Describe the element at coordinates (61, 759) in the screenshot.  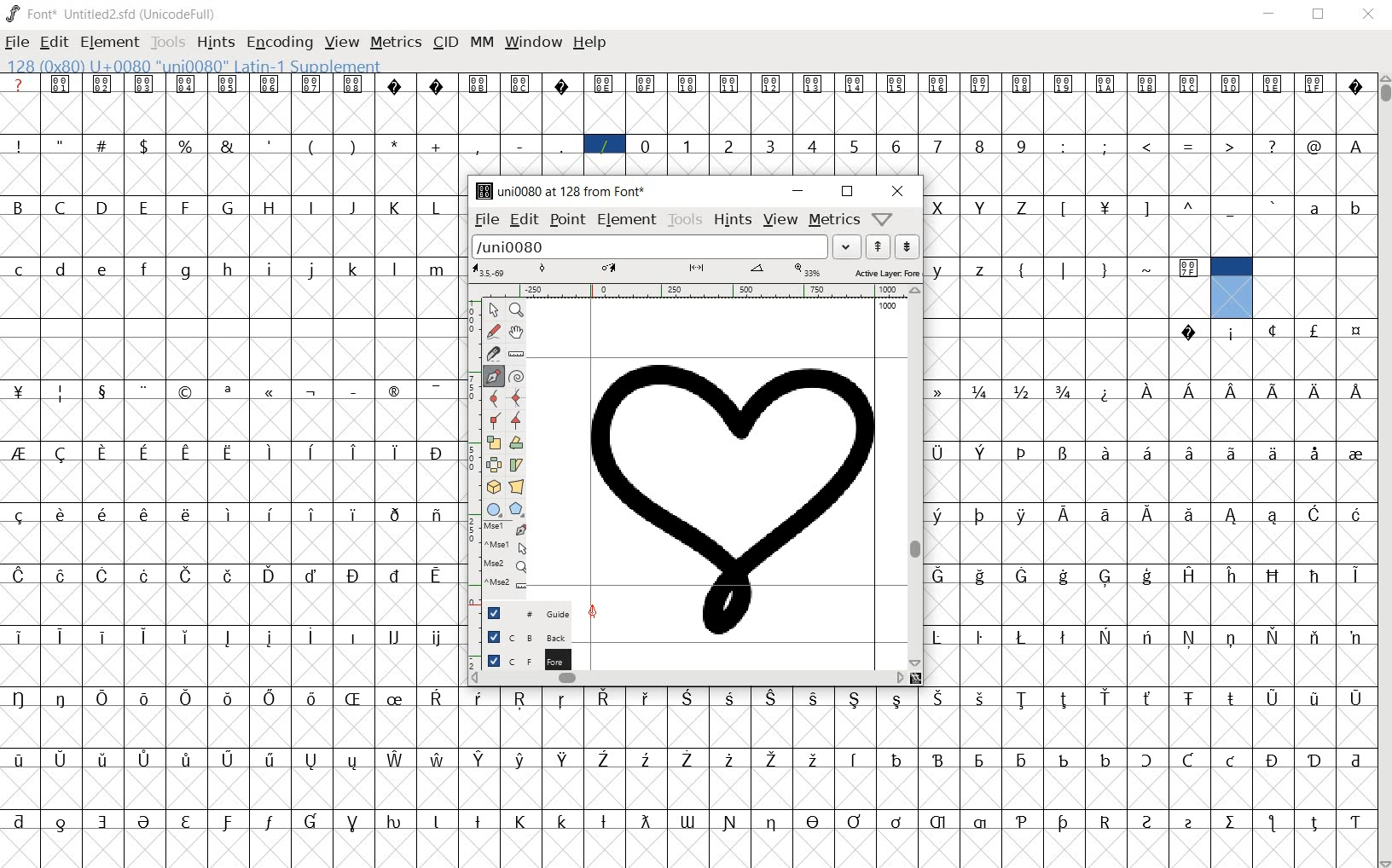
I see `glyph` at that location.